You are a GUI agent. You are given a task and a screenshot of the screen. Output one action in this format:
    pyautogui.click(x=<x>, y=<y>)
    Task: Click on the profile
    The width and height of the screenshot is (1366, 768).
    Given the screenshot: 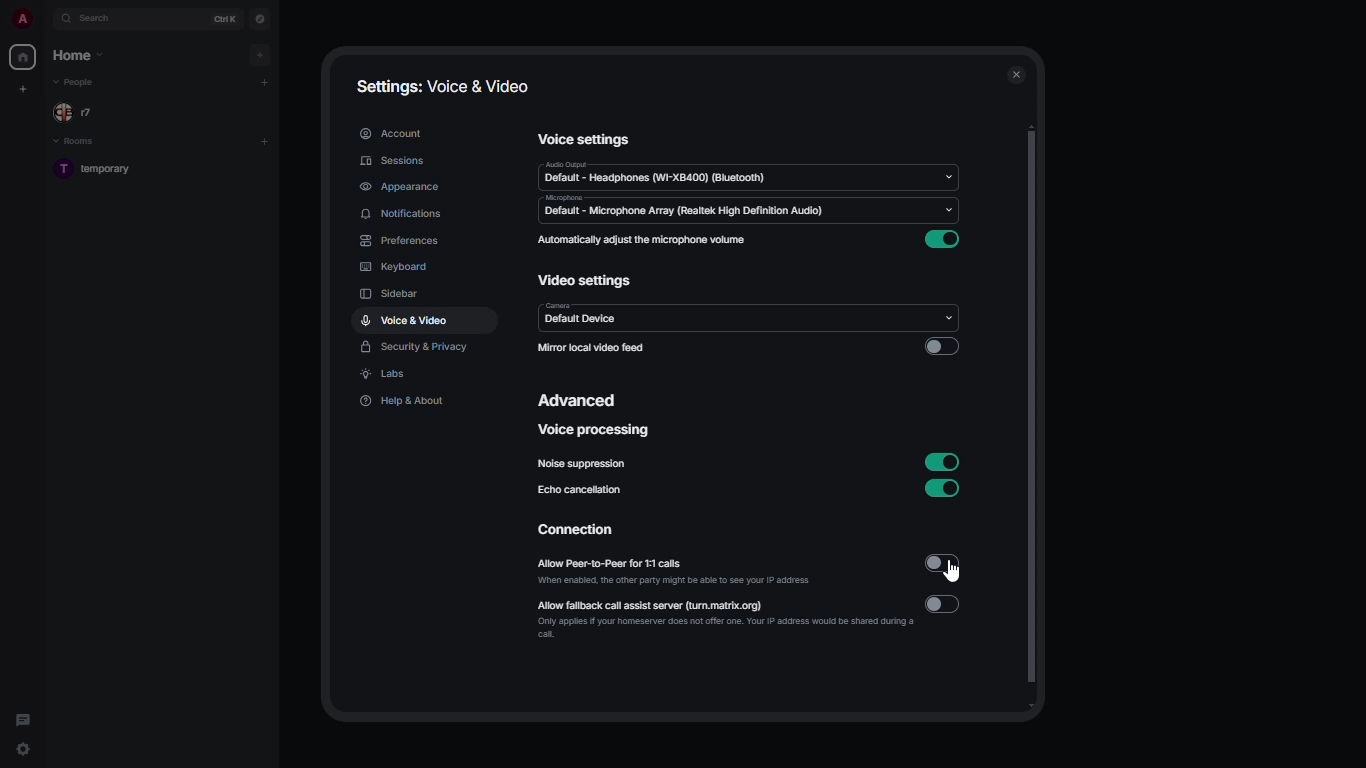 What is the action you would take?
    pyautogui.click(x=21, y=20)
    